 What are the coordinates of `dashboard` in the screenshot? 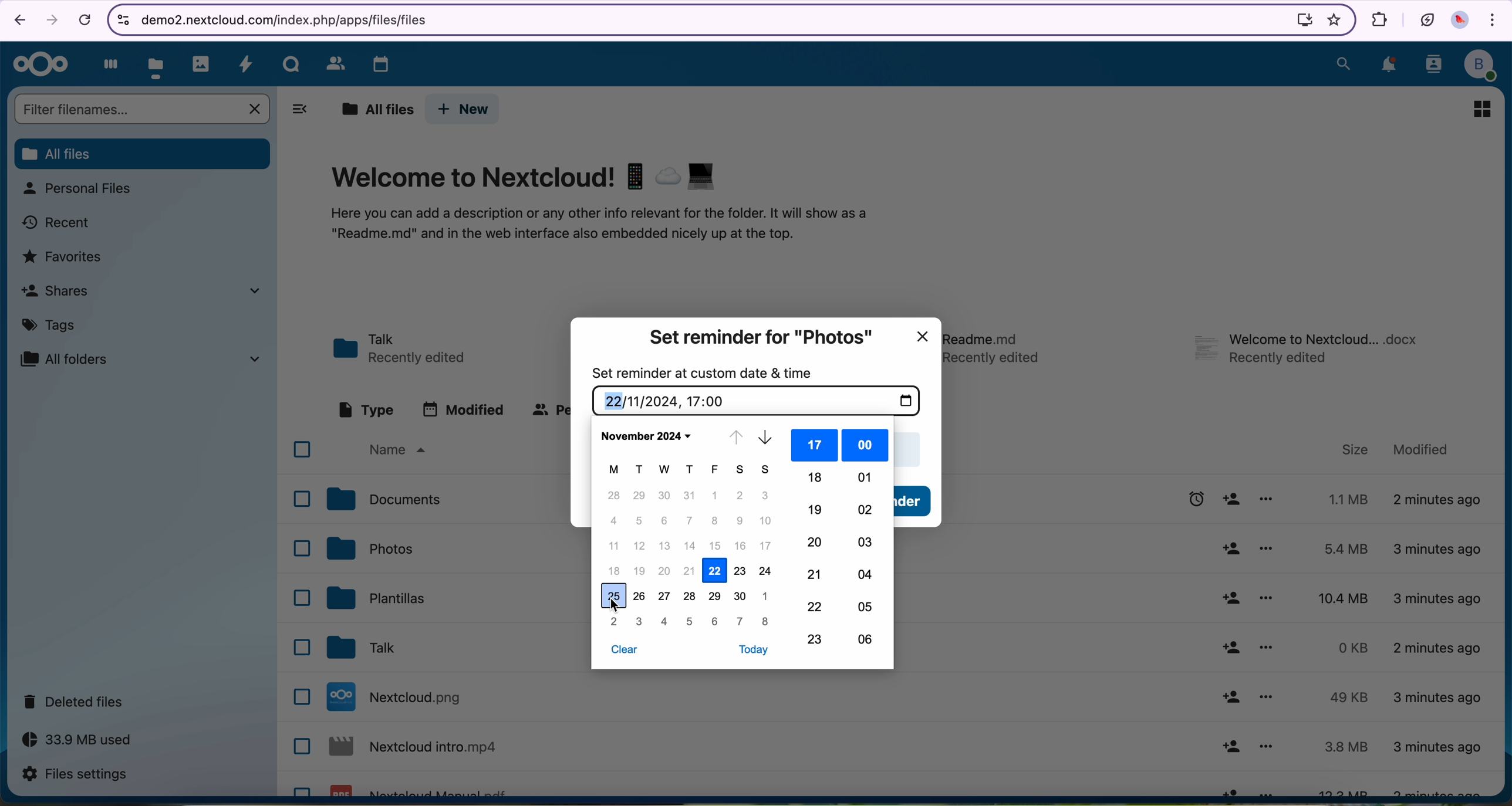 It's located at (107, 63).